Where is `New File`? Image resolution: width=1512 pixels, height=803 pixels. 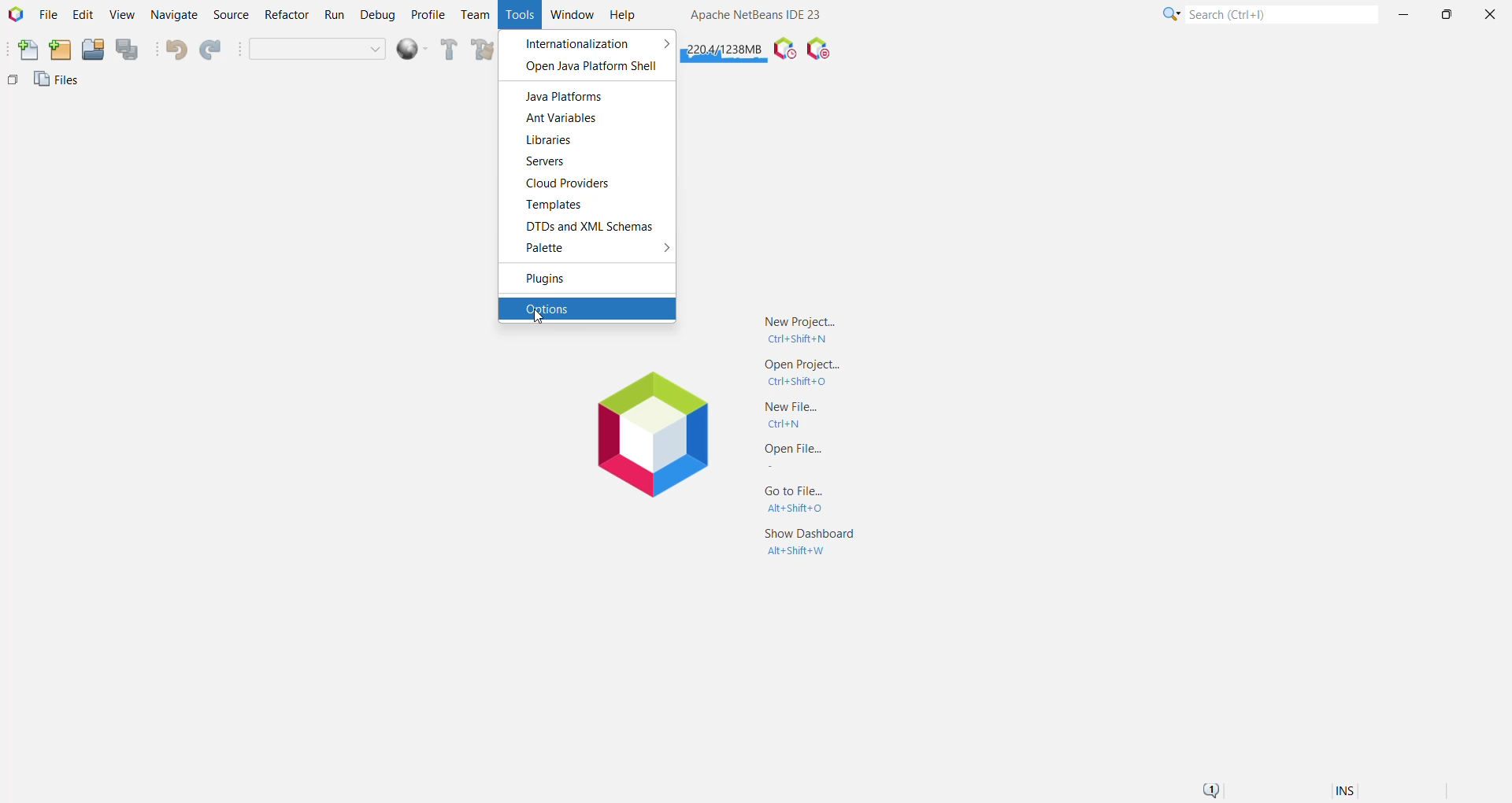 New File is located at coordinates (794, 414).